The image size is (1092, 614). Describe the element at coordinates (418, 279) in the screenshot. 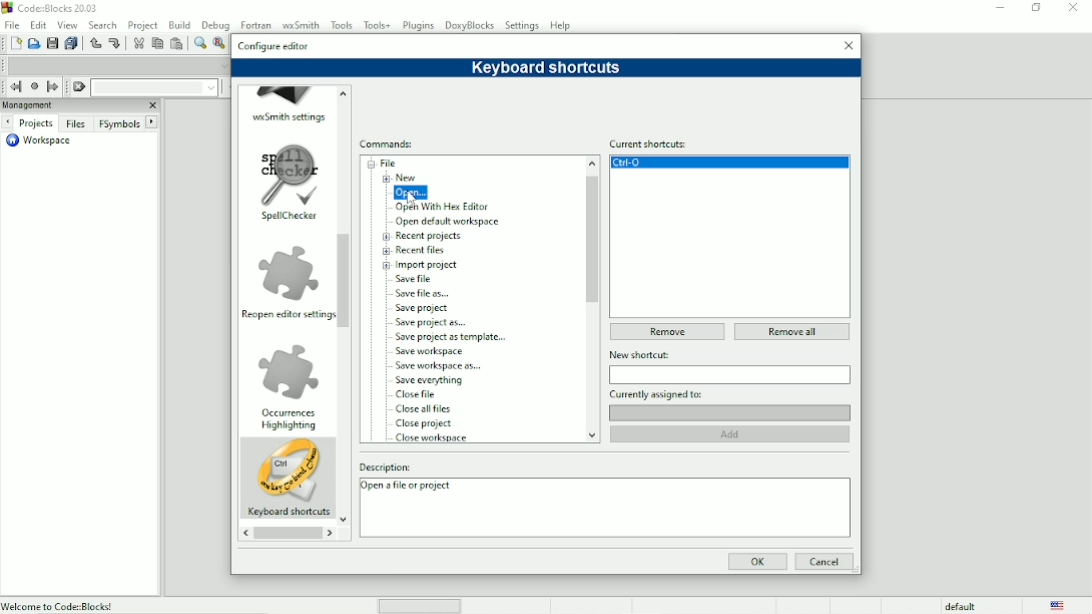

I see `Save file` at that location.